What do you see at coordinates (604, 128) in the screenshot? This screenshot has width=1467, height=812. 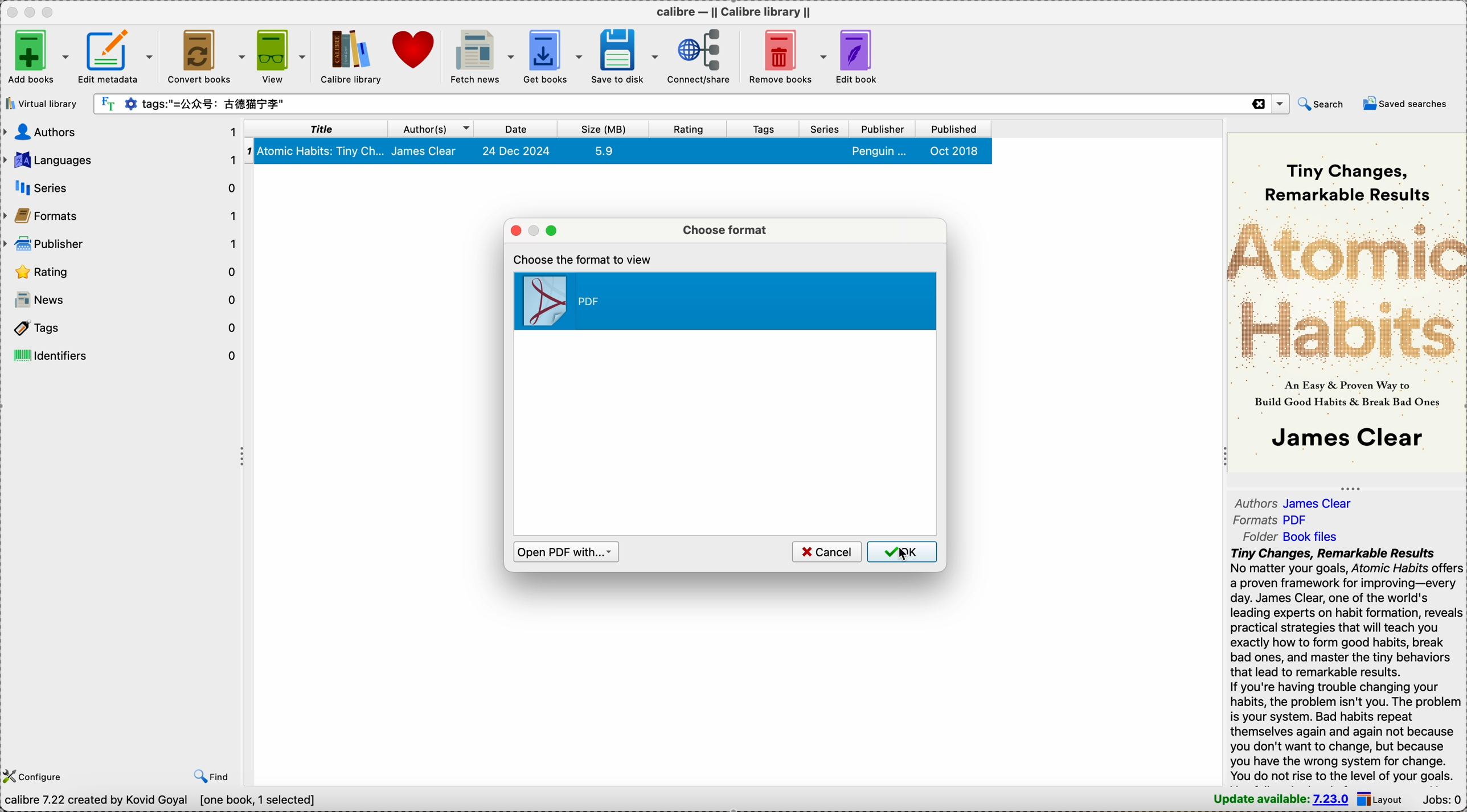 I see `size` at bounding box center [604, 128].